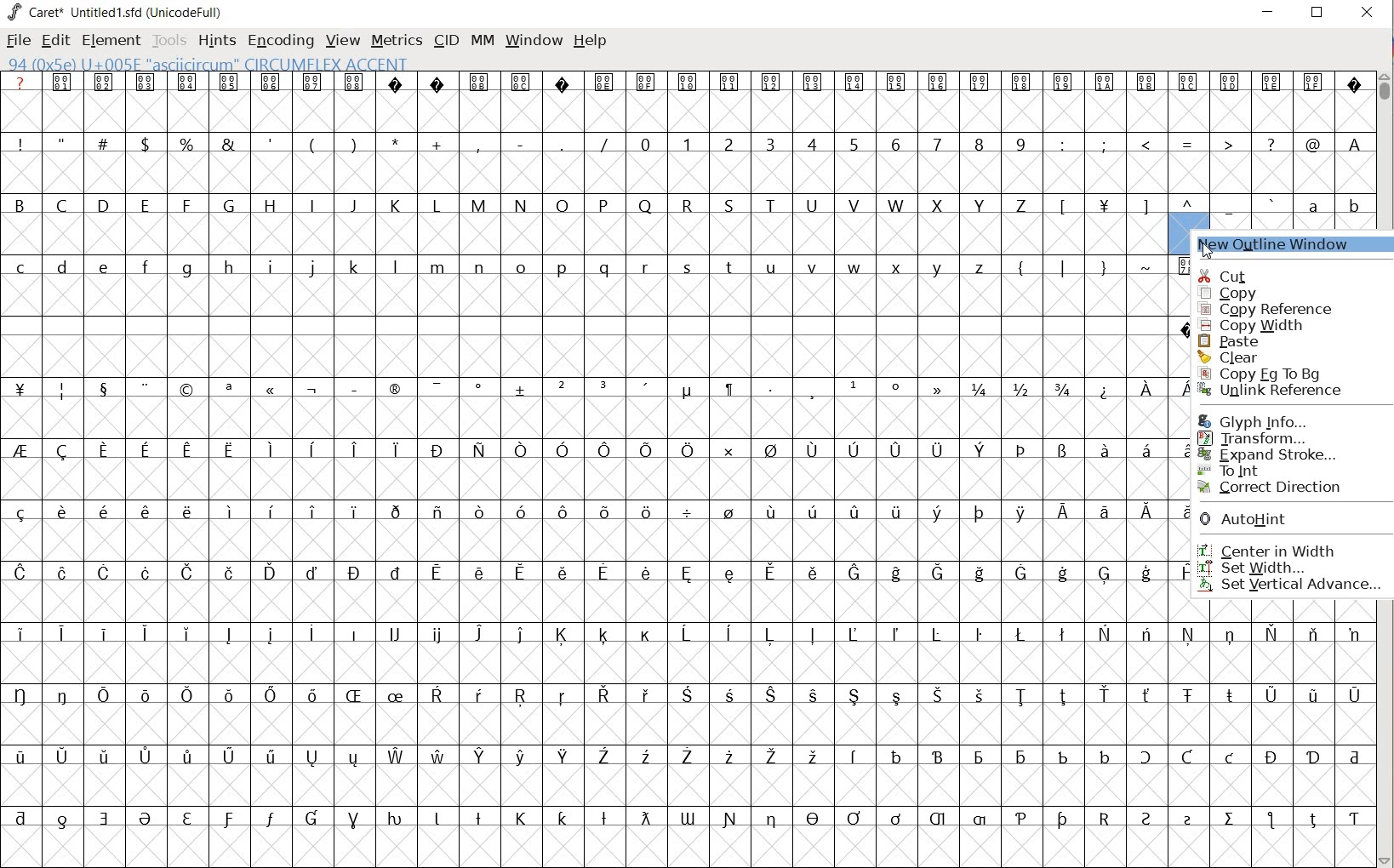 Image resolution: width=1394 pixels, height=868 pixels. Describe the element at coordinates (1286, 438) in the screenshot. I see `transform` at that location.